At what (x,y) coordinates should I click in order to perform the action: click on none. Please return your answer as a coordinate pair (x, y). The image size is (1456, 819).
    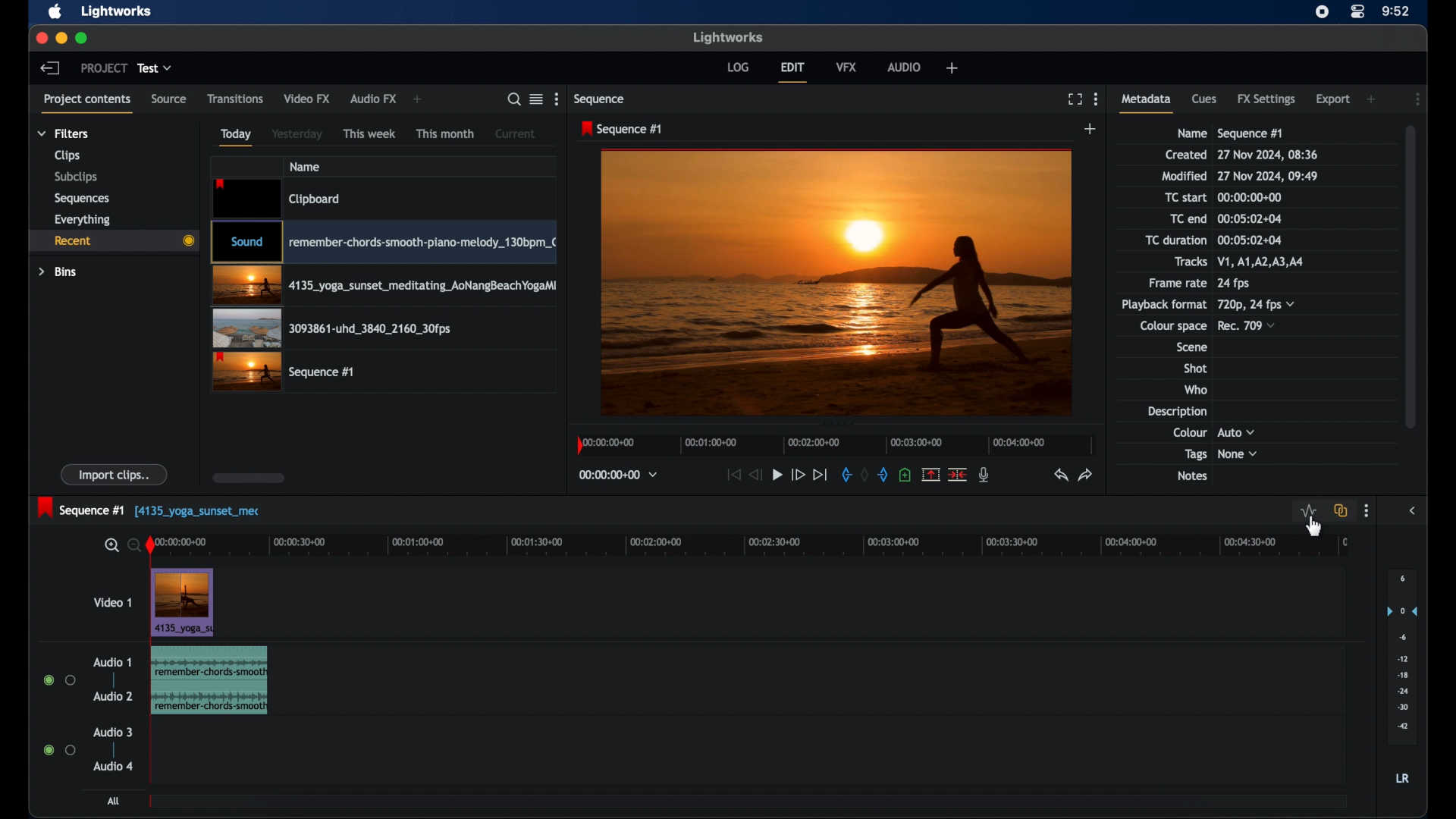
    Looking at the image, I should click on (1238, 454).